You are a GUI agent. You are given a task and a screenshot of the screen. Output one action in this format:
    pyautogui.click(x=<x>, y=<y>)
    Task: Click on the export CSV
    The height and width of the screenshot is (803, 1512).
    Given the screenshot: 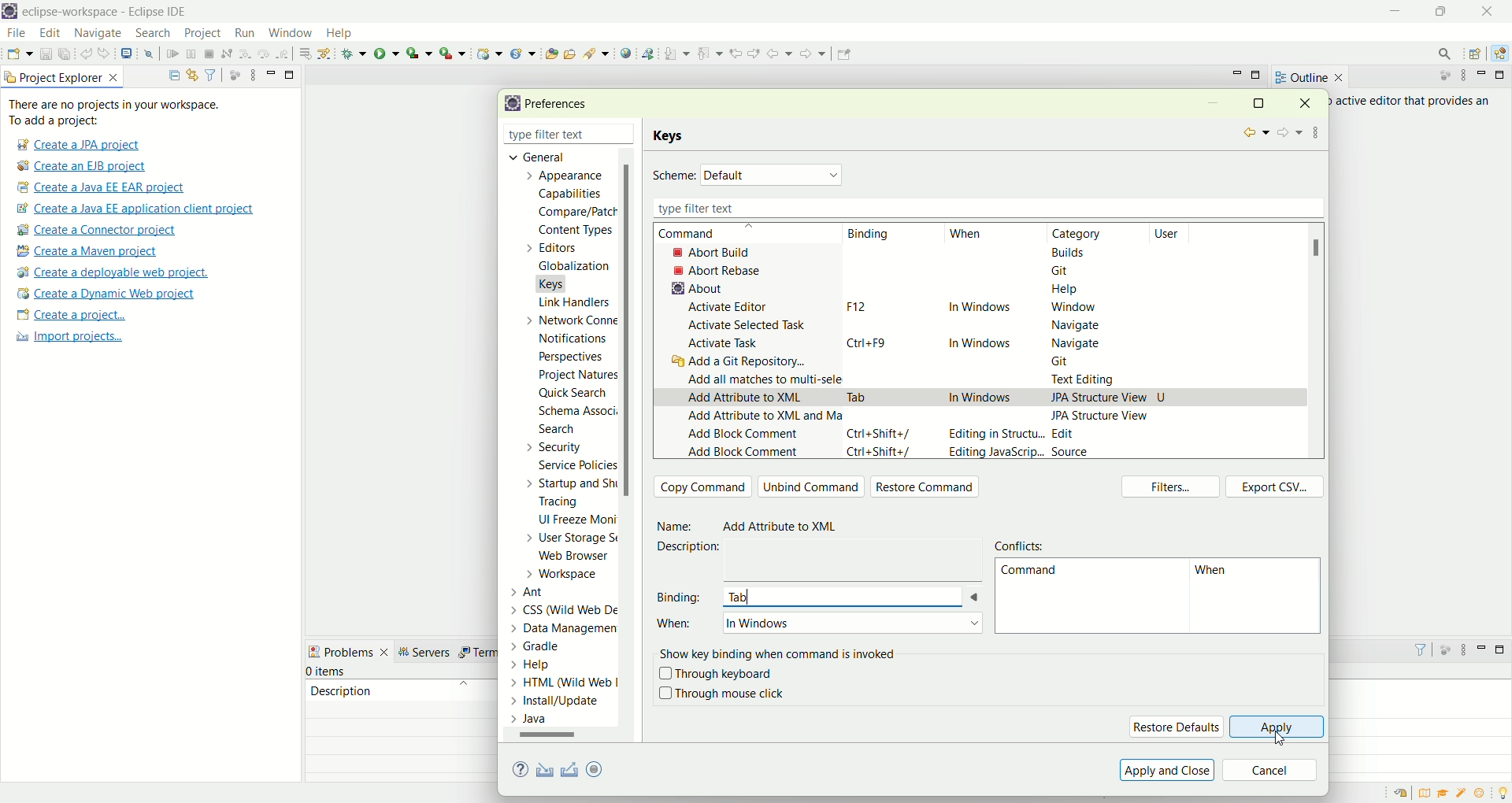 What is the action you would take?
    pyautogui.click(x=1275, y=487)
    